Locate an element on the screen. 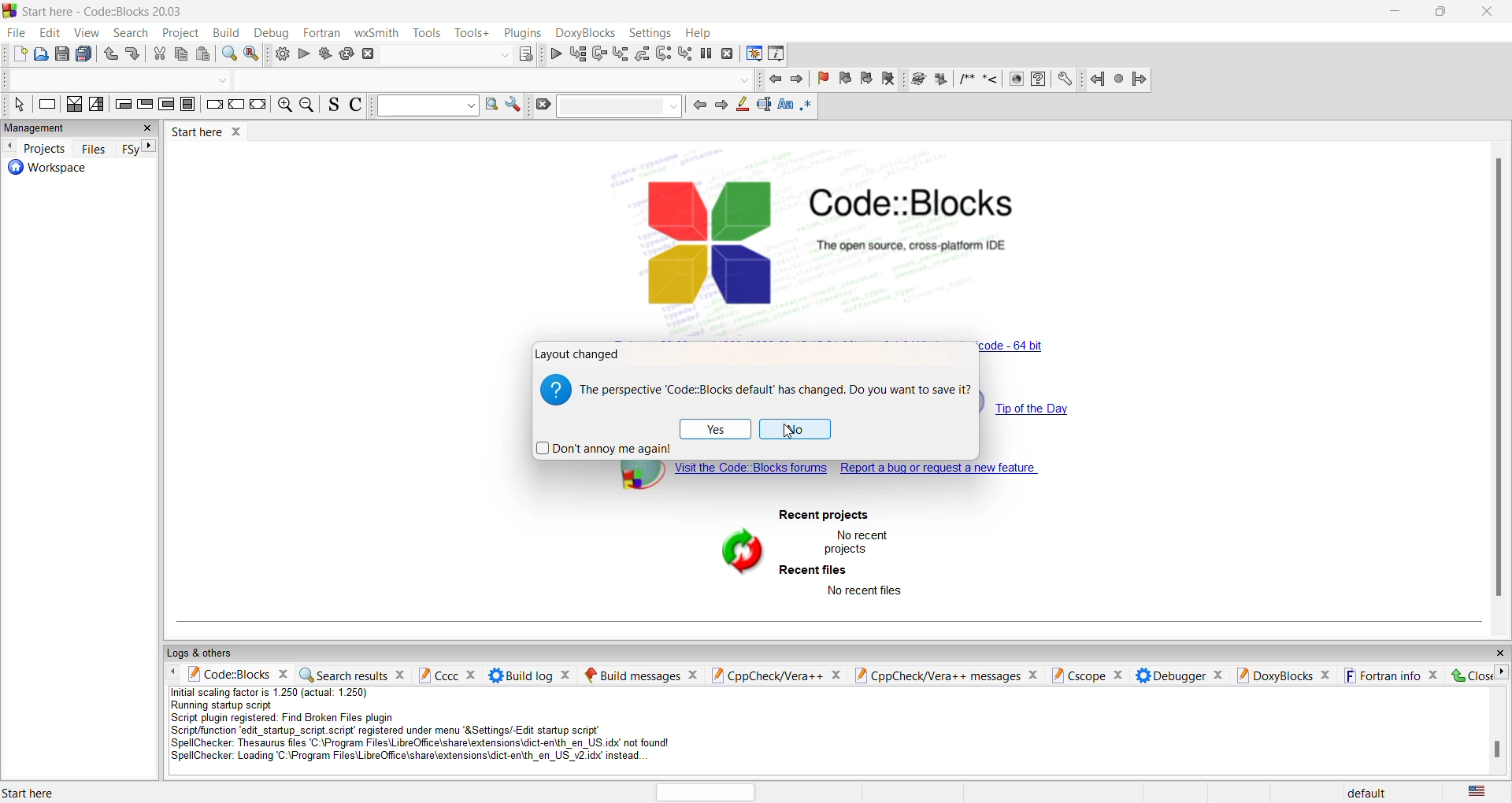 The height and width of the screenshot is (803, 1512). resize is located at coordinates (1443, 12).